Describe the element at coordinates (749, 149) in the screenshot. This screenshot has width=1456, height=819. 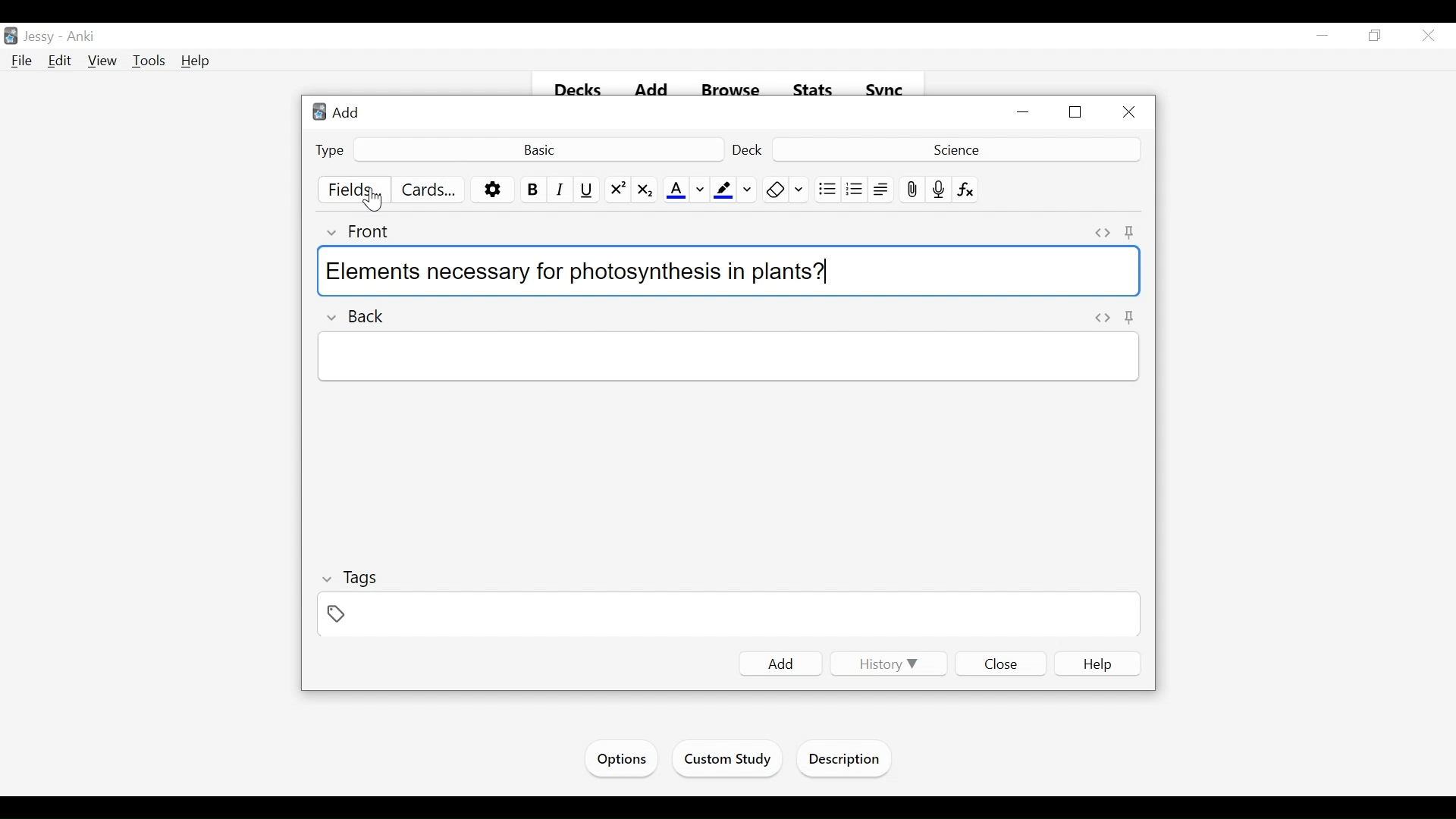
I see `Deck` at that location.